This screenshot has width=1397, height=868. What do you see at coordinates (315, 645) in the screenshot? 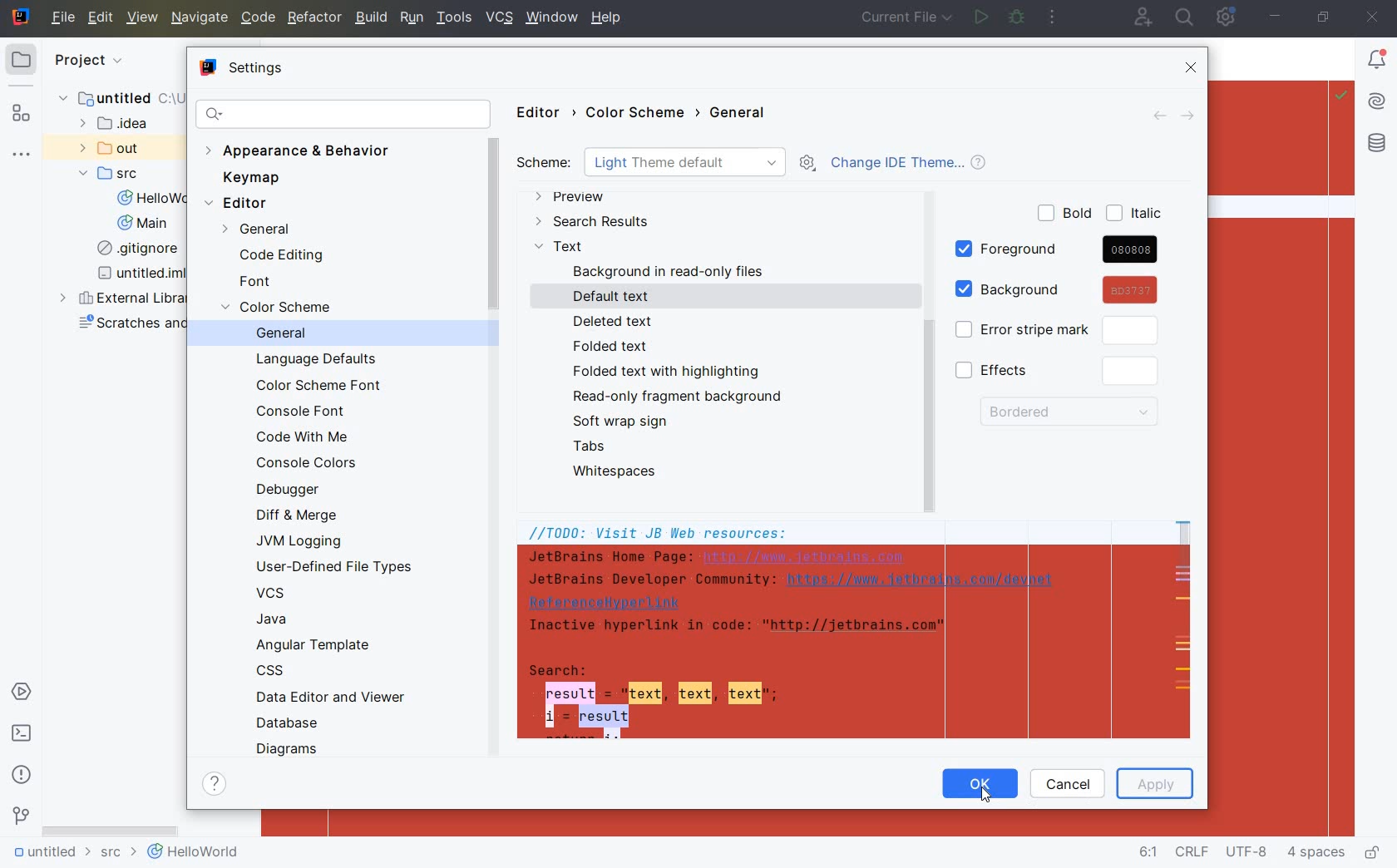
I see `ANGULAR TEMPLATE` at bounding box center [315, 645].